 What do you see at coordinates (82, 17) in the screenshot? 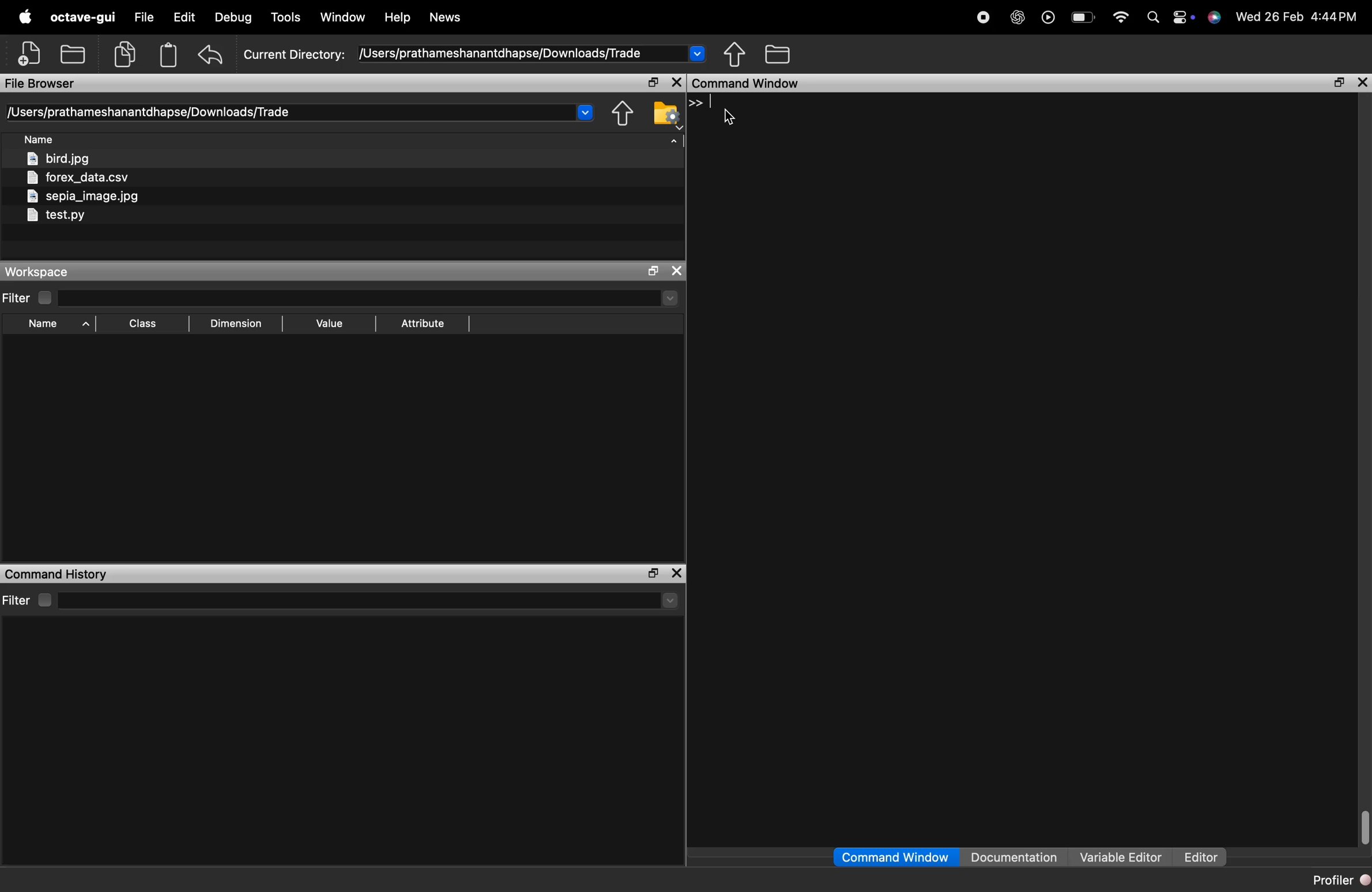
I see `octave-gui` at bounding box center [82, 17].